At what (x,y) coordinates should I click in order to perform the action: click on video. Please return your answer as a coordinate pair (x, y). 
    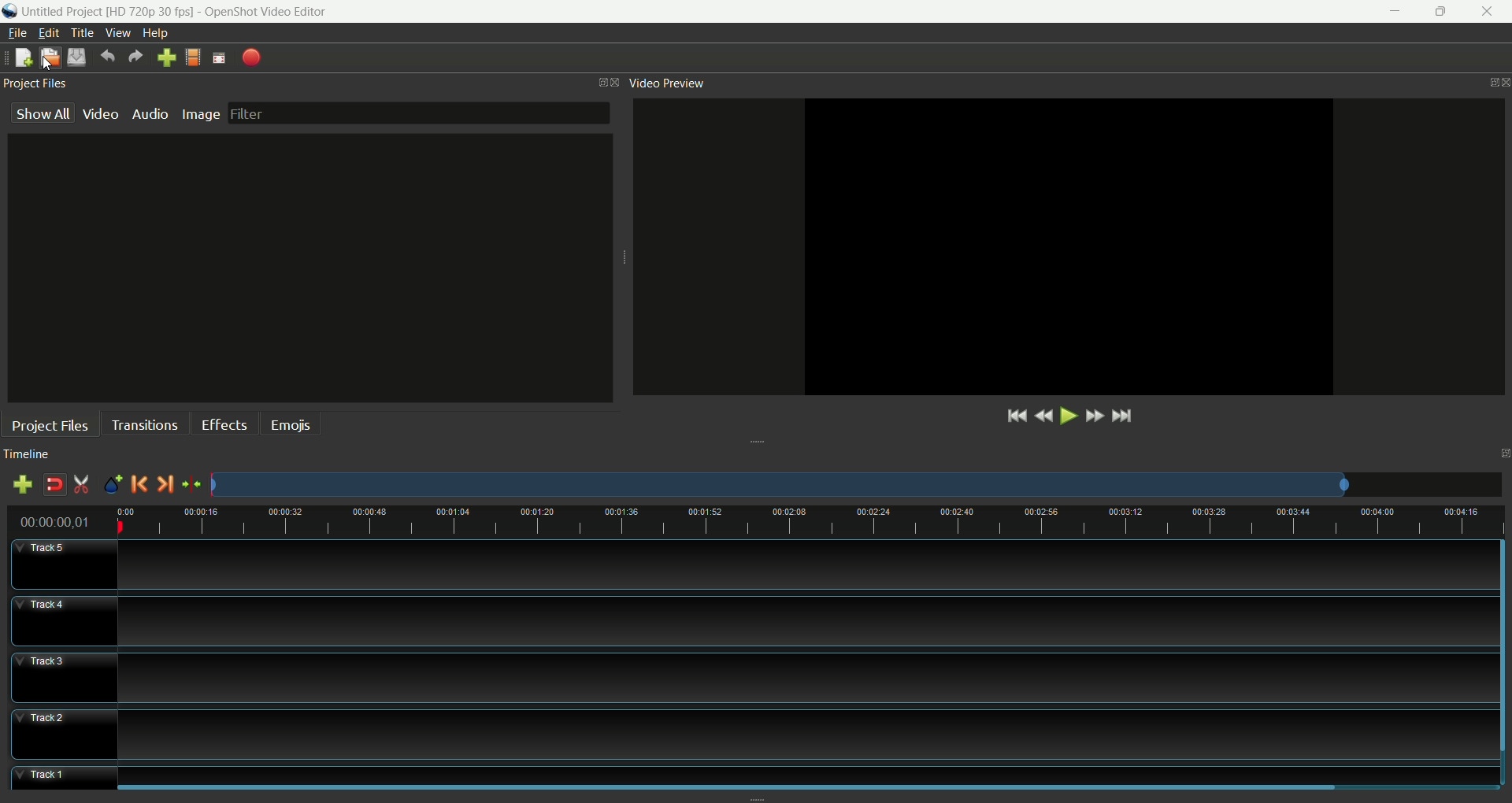
    Looking at the image, I should click on (101, 116).